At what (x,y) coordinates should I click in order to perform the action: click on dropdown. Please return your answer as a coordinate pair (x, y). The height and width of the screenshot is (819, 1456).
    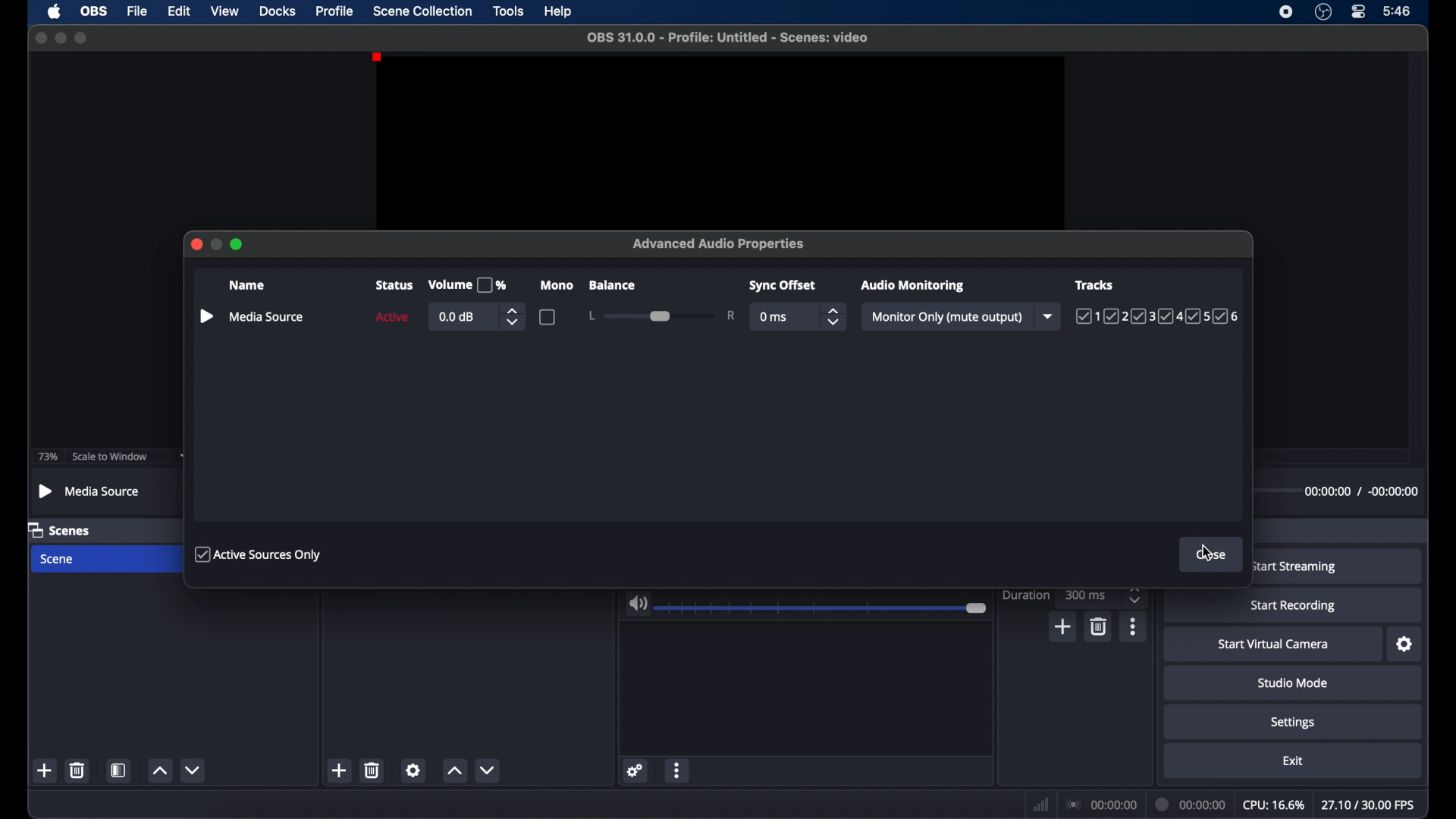
    Looking at the image, I should click on (1050, 315).